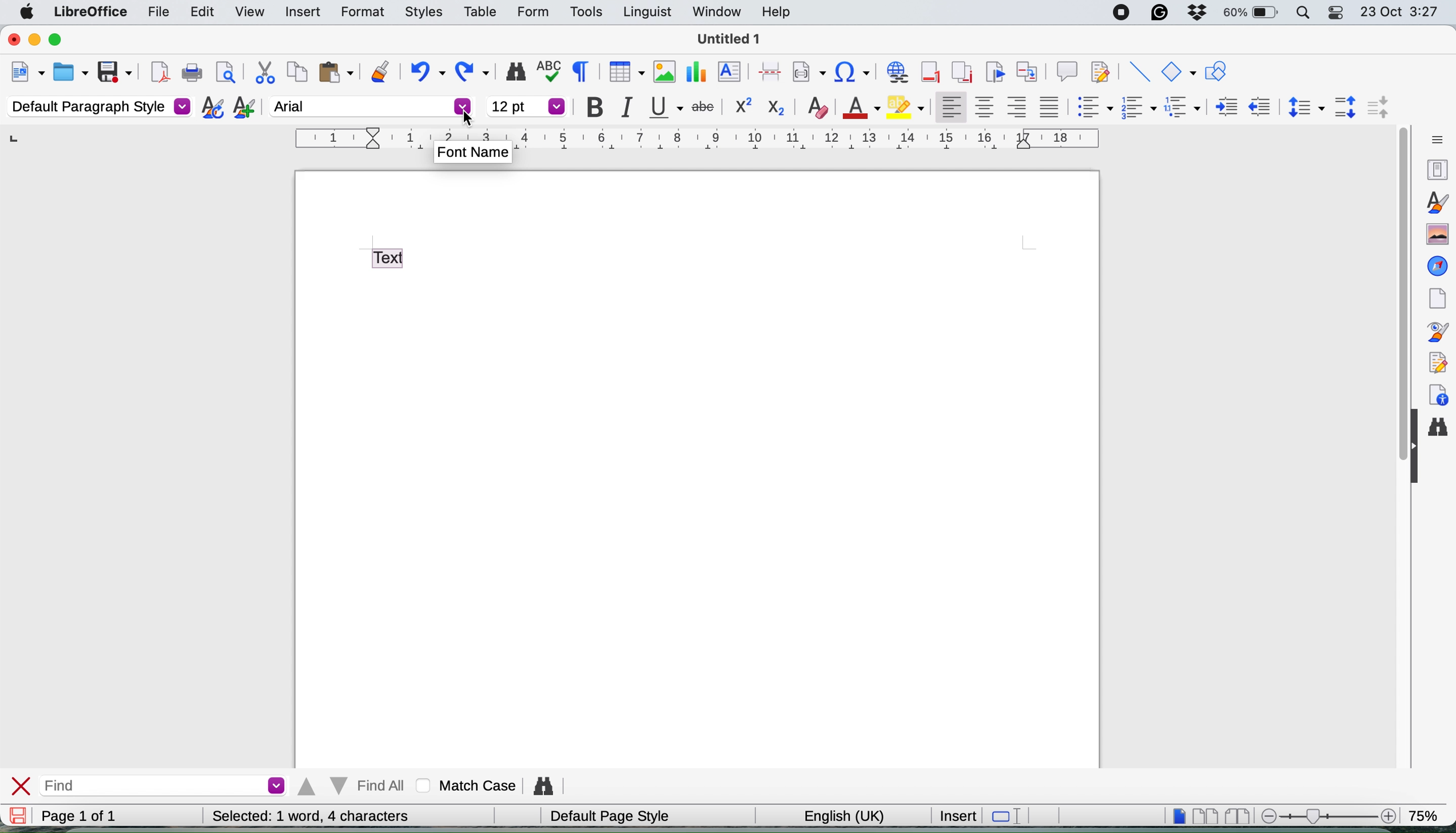 The image size is (1456, 833). What do you see at coordinates (948, 108) in the screenshot?
I see `align left` at bounding box center [948, 108].